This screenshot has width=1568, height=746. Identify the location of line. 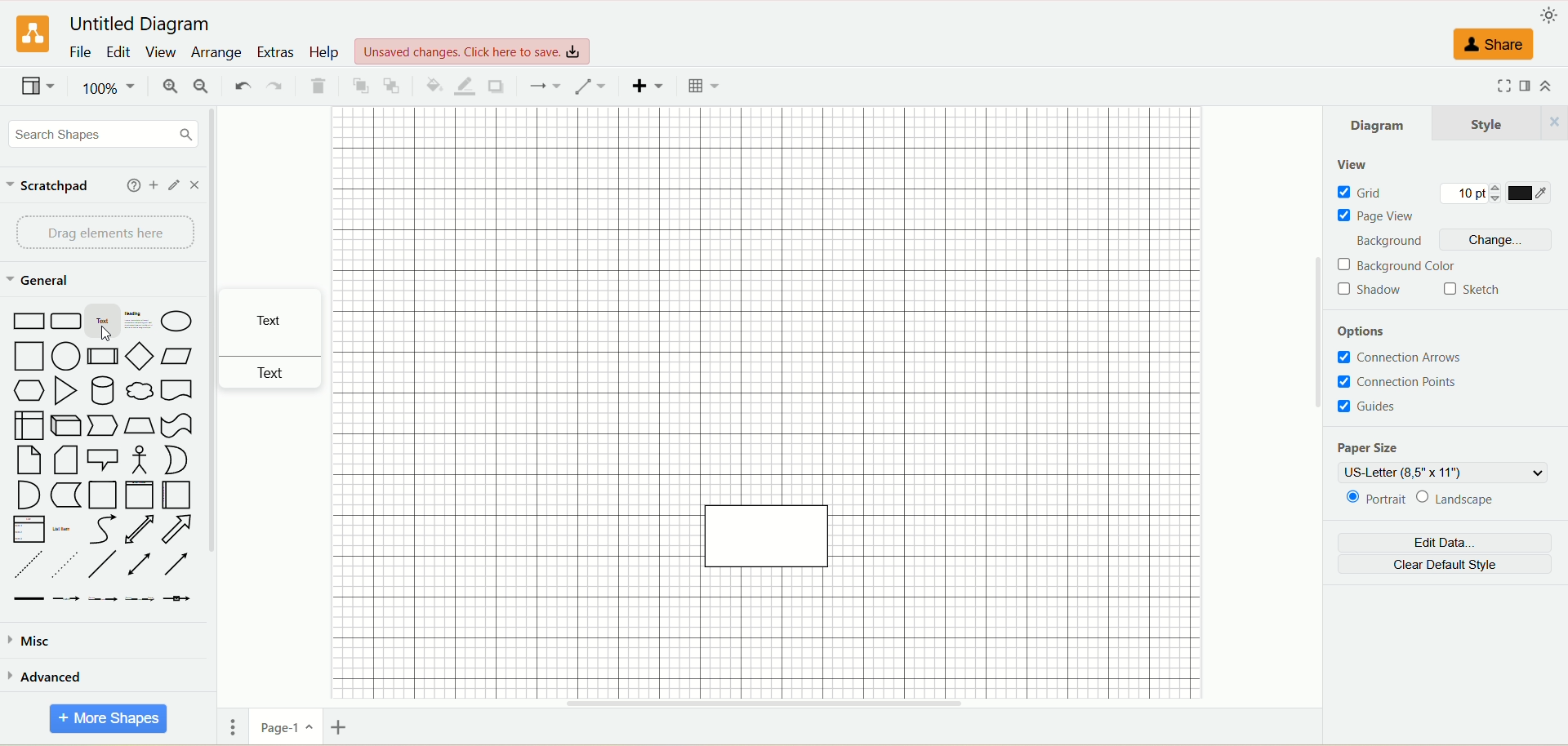
(105, 565).